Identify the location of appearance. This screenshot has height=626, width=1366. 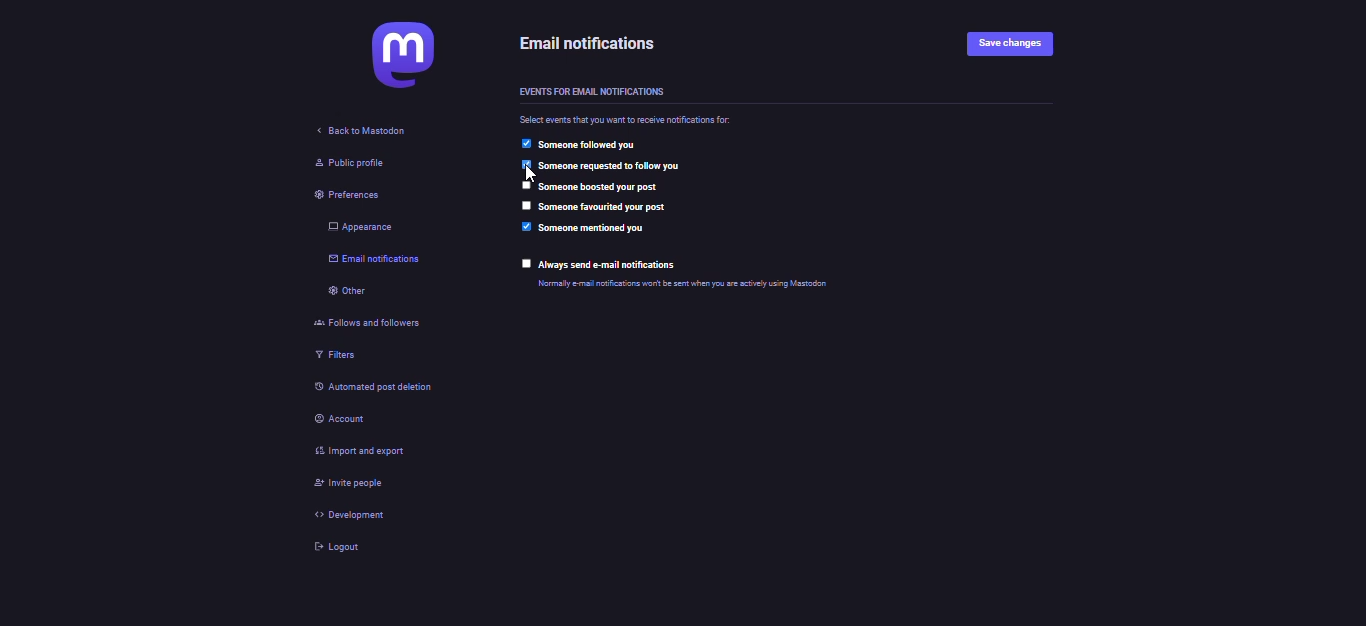
(354, 226).